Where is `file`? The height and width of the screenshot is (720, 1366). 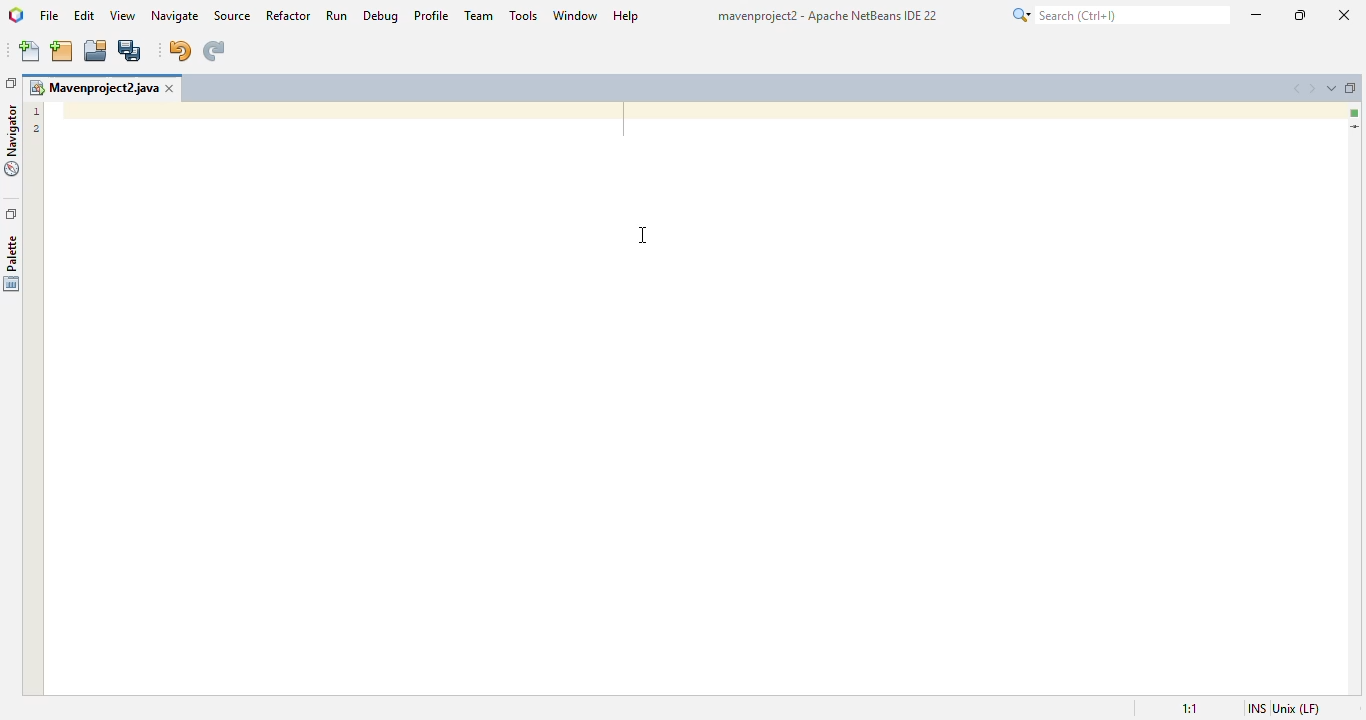 file is located at coordinates (49, 15).